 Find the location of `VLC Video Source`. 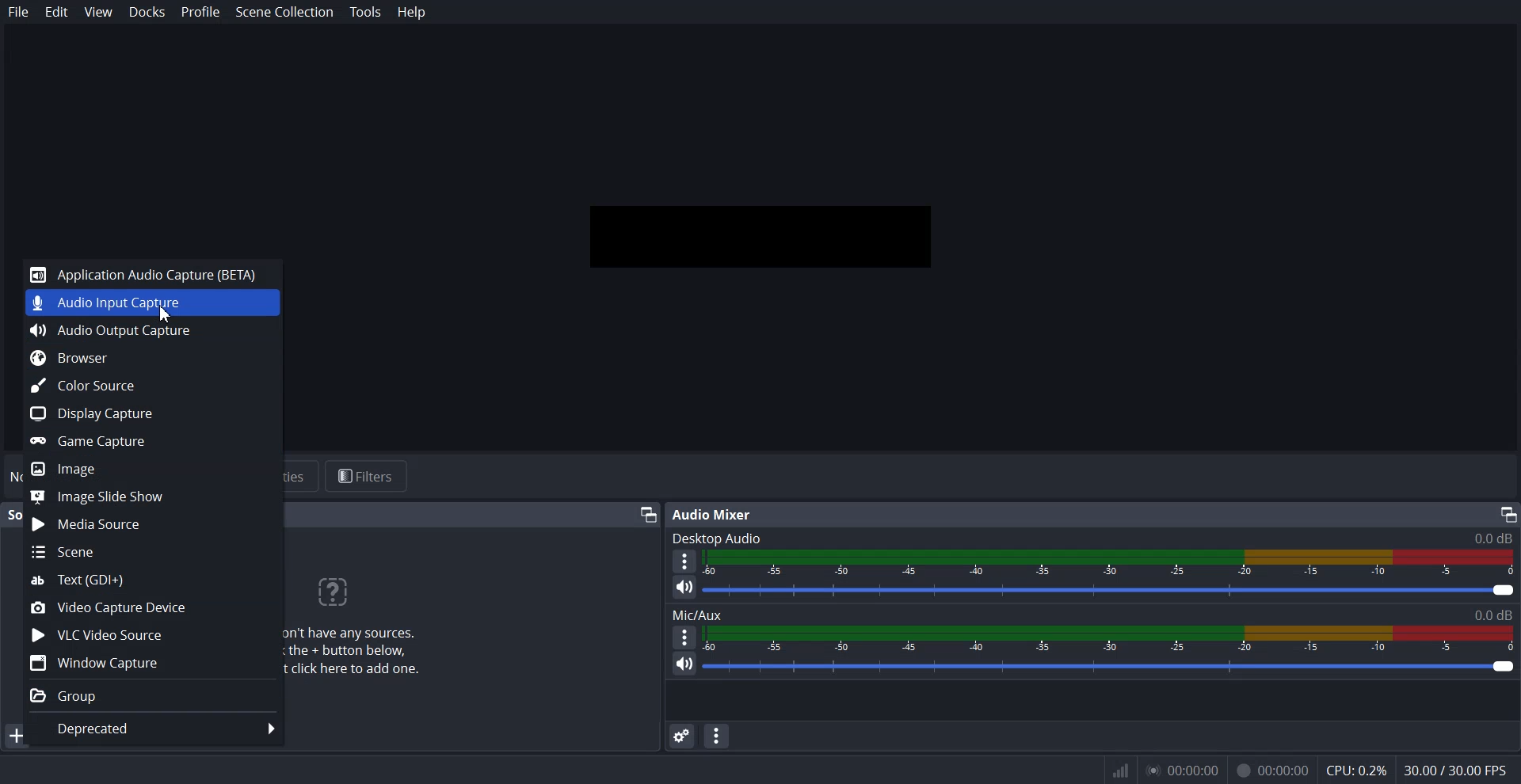

VLC Video Source is located at coordinates (152, 635).